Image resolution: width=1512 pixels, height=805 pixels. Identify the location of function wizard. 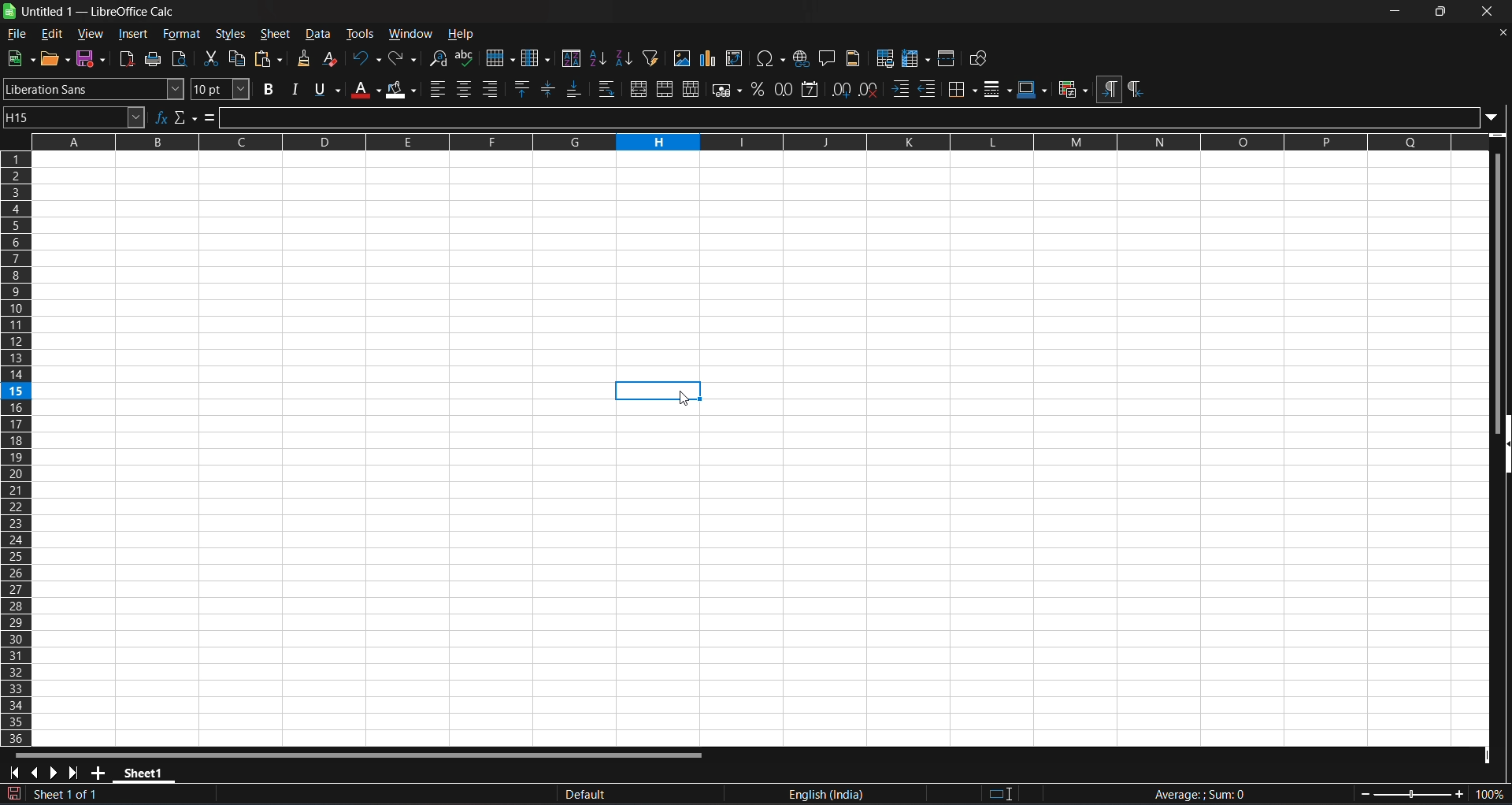
(161, 117).